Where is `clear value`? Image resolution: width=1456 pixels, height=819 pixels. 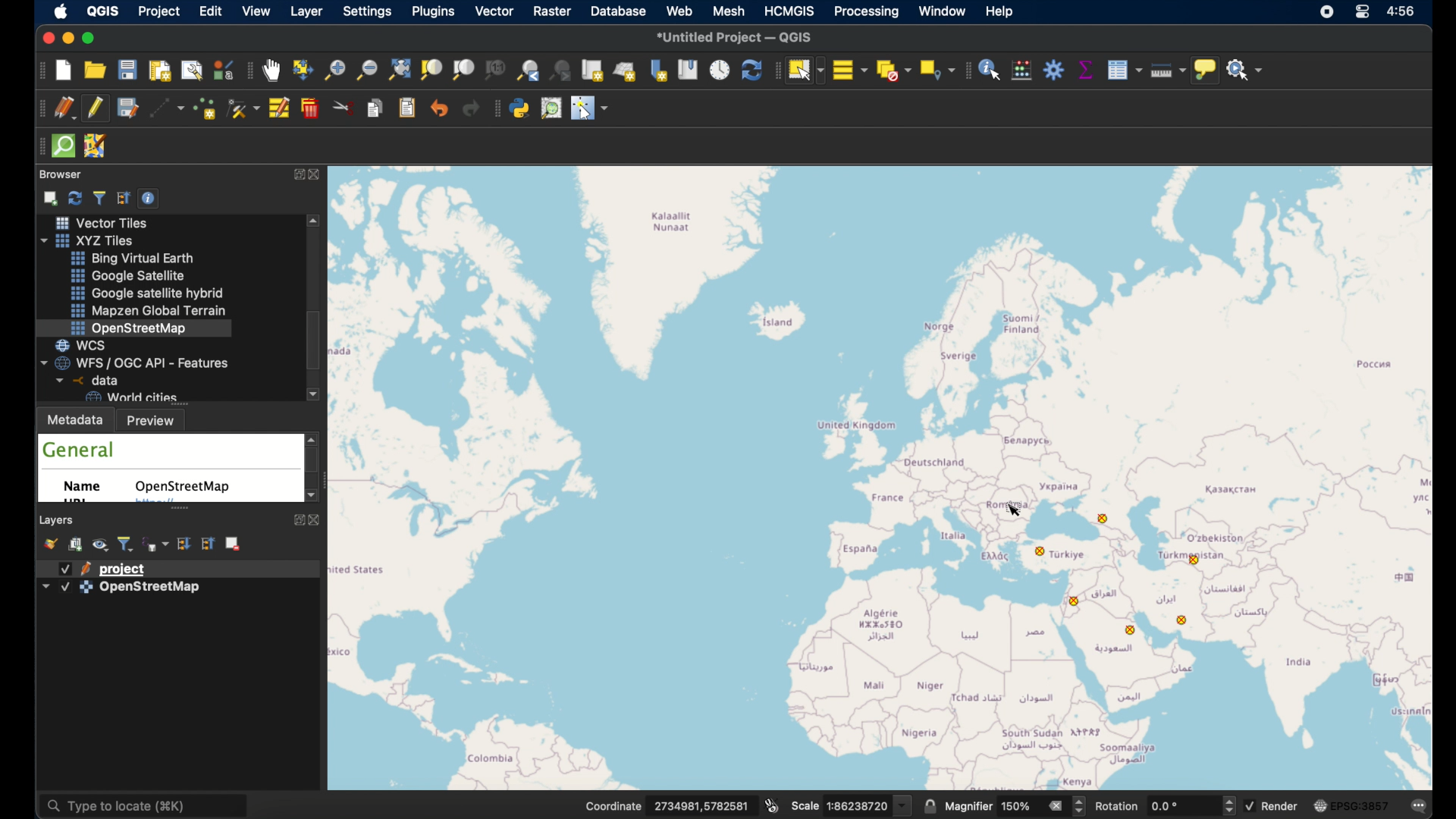 clear value is located at coordinates (1055, 805).